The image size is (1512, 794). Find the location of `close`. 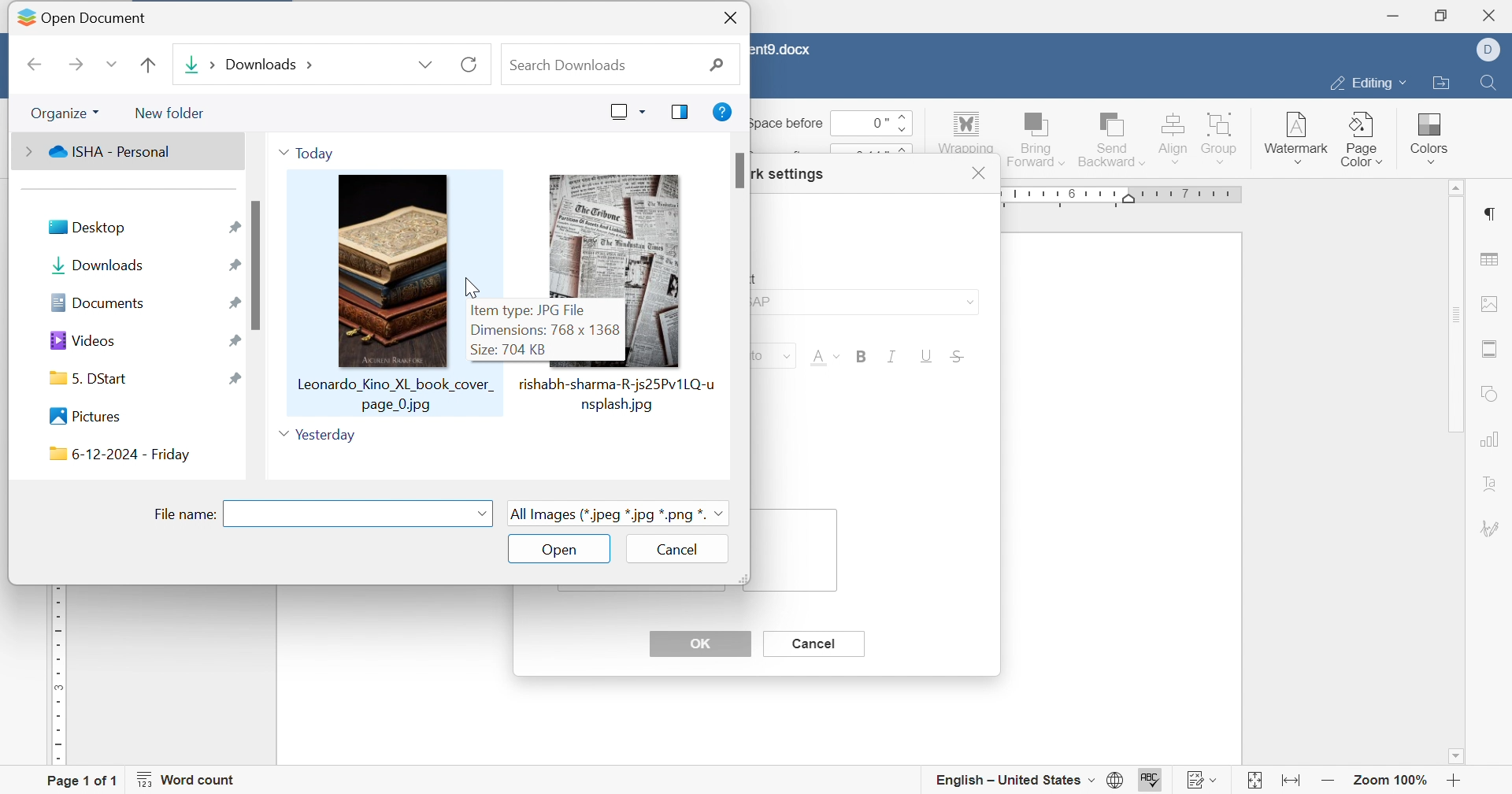

close is located at coordinates (731, 18).